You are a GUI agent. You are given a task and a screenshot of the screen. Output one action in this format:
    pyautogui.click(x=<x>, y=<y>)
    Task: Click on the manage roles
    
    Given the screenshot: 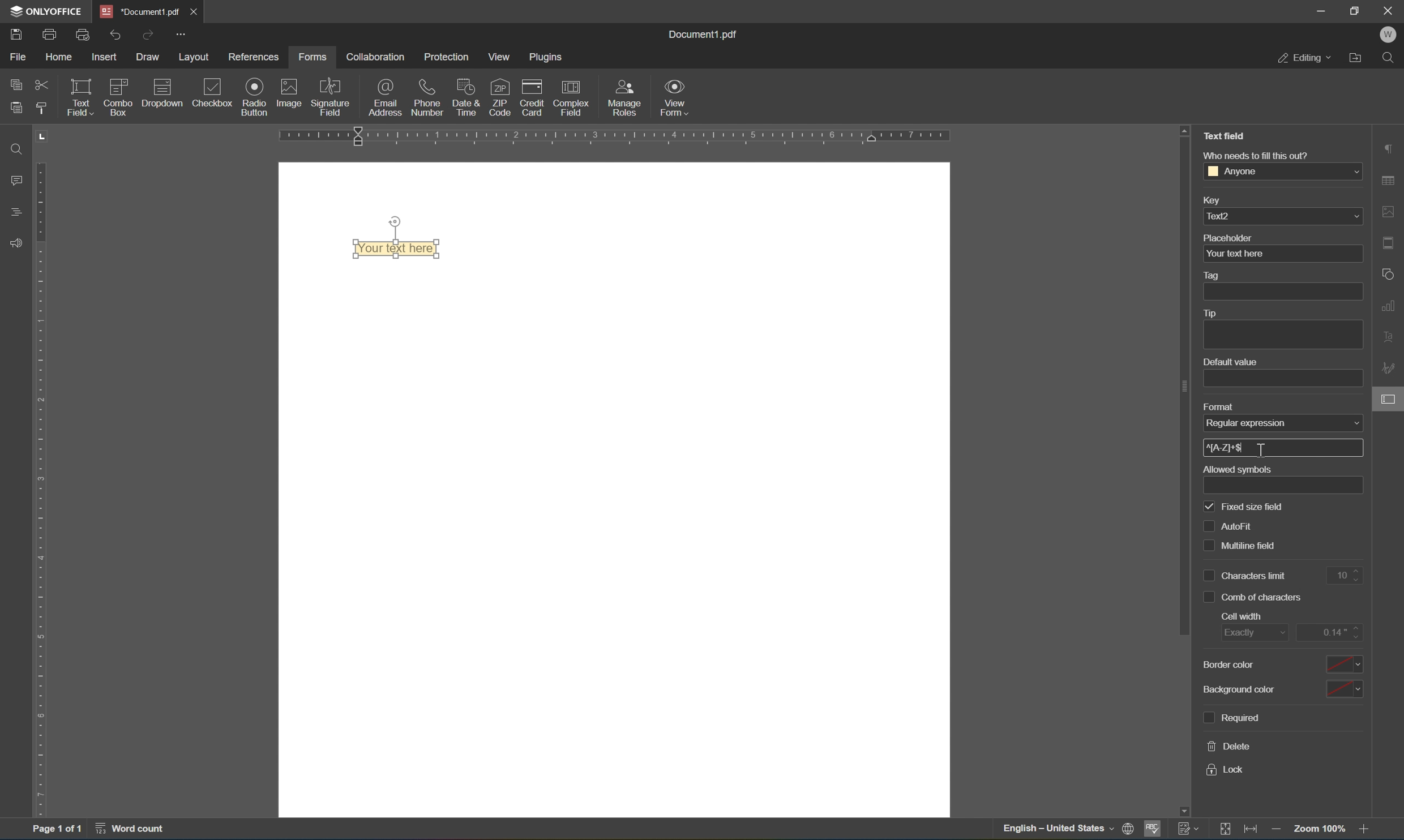 What is the action you would take?
    pyautogui.click(x=625, y=97)
    